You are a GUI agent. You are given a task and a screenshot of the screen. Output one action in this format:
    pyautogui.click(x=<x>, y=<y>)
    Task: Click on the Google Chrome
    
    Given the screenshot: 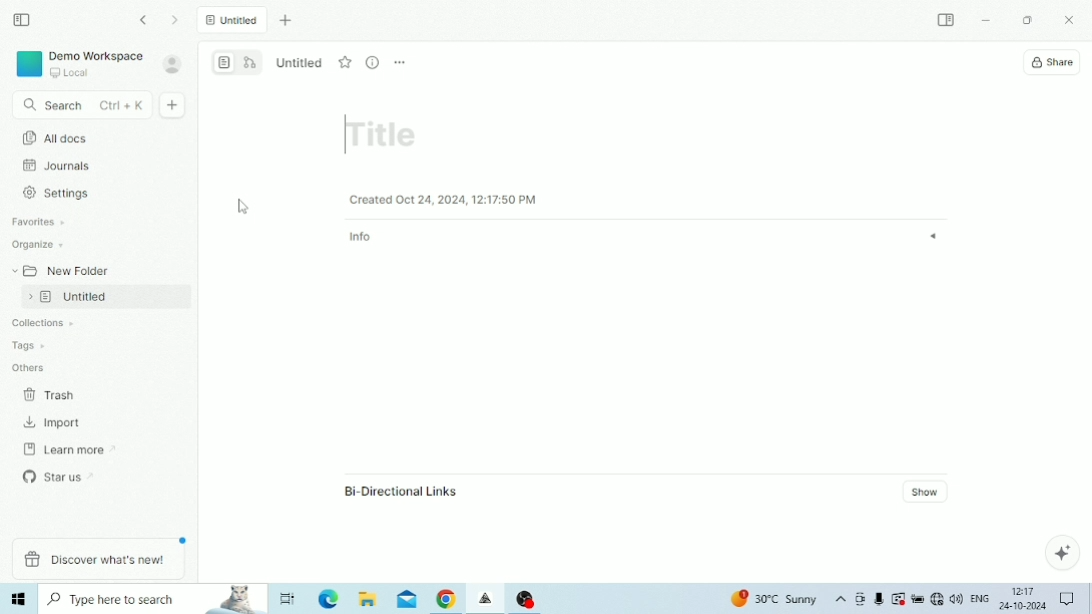 What is the action you would take?
    pyautogui.click(x=446, y=600)
    